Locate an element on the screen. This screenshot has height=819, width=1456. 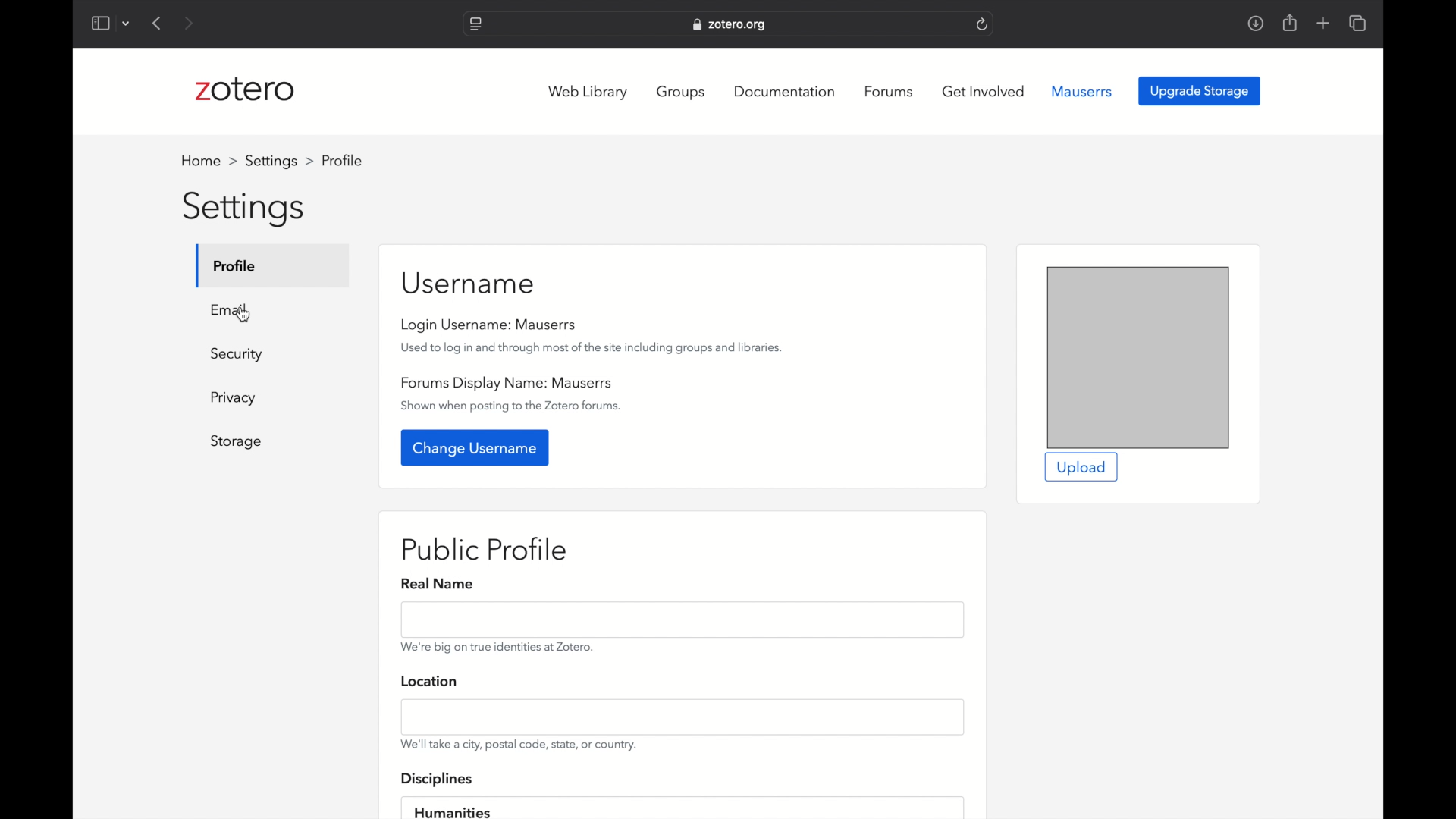
location is located at coordinates (433, 682).